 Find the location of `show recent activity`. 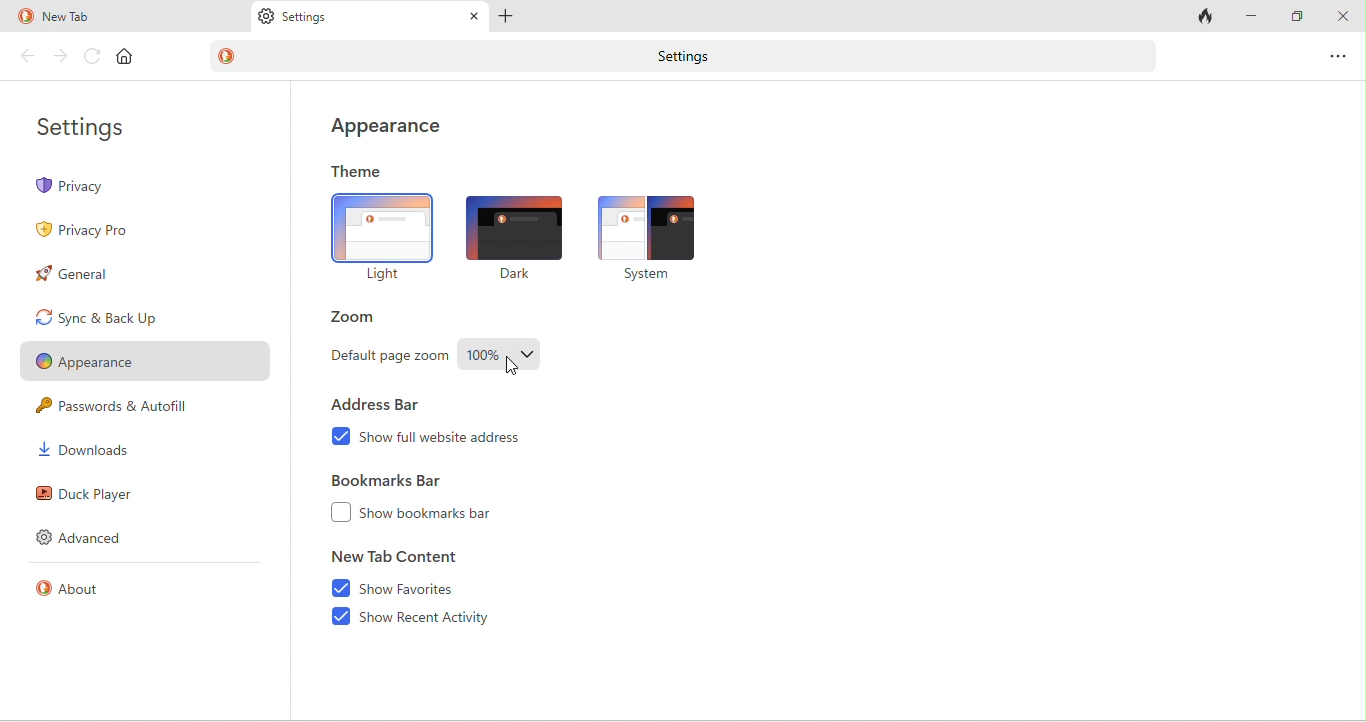

show recent activity is located at coordinates (434, 620).